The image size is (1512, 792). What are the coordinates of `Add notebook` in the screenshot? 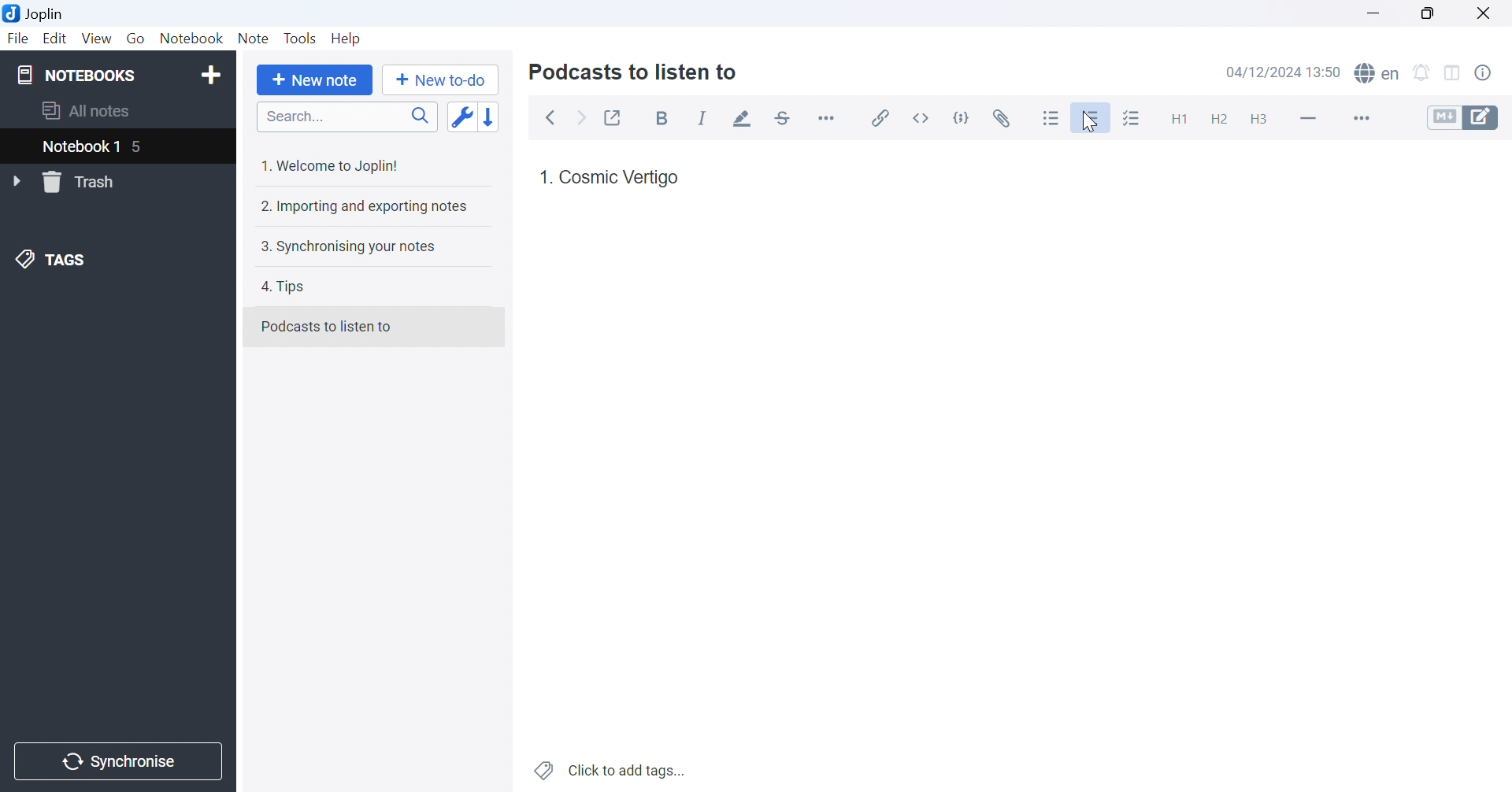 It's located at (210, 77).